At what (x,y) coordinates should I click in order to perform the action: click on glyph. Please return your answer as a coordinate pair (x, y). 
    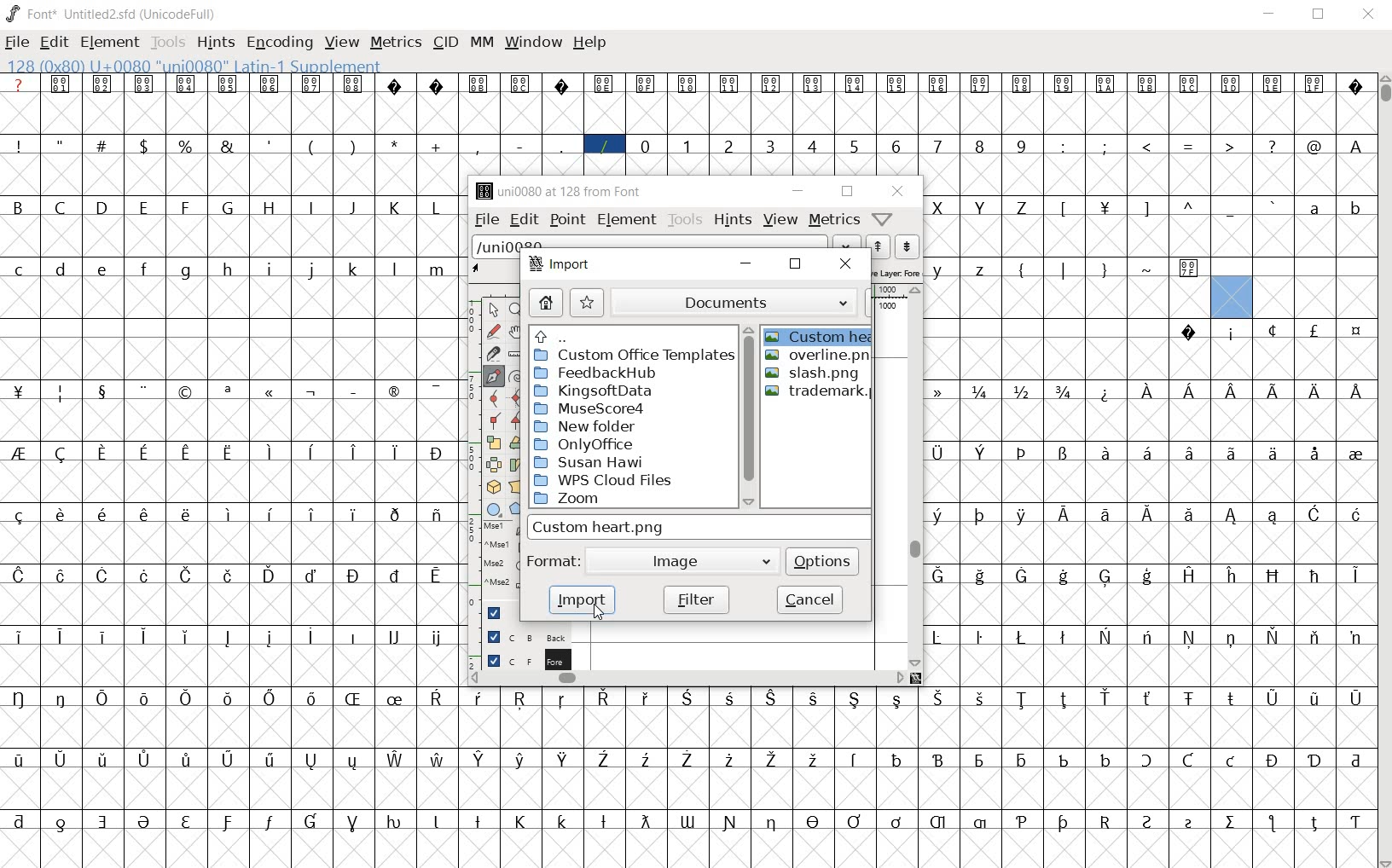
    Looking at the image, I should click on (1105, 636).